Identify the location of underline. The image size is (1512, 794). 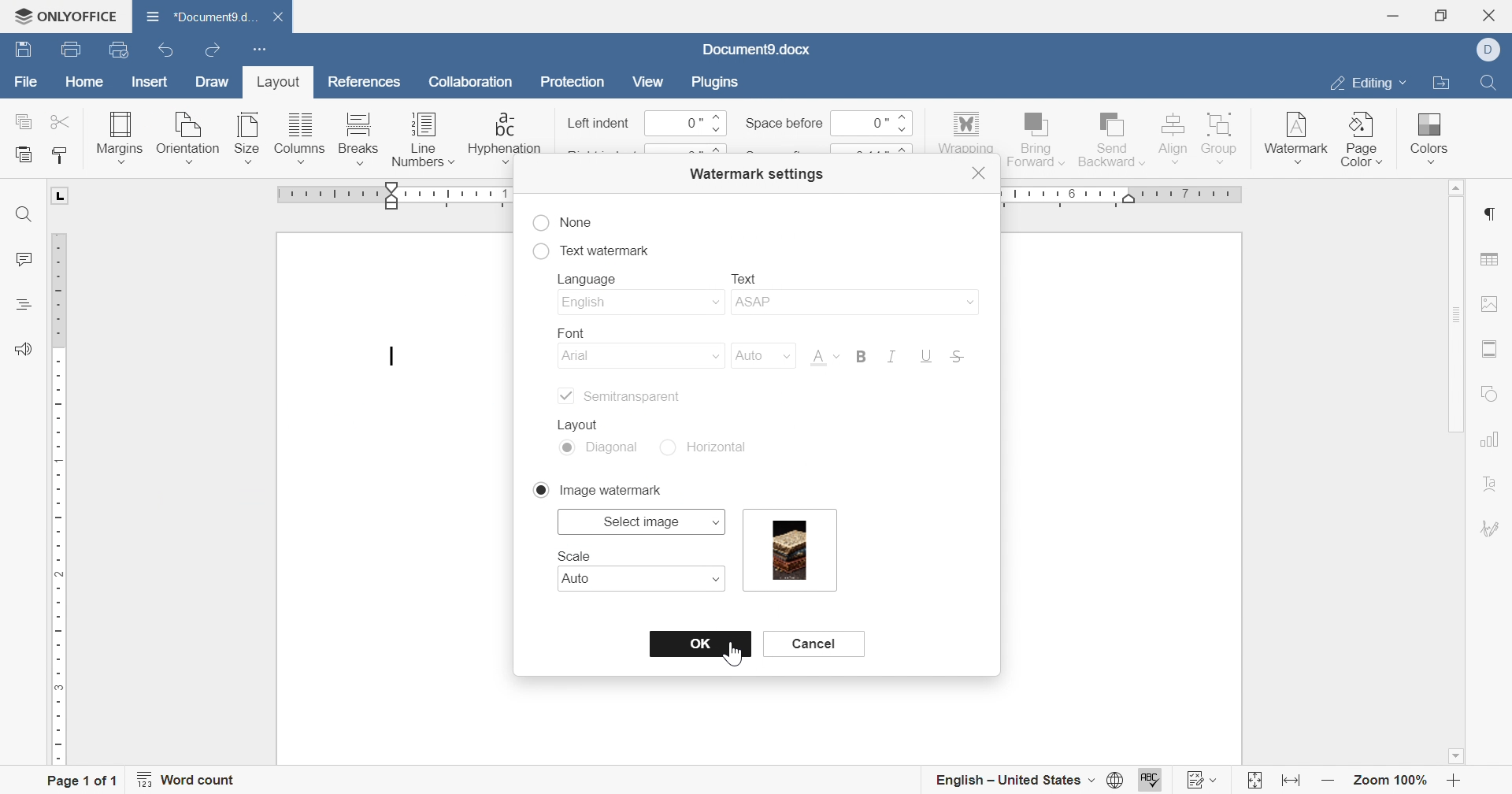
(926, 357).